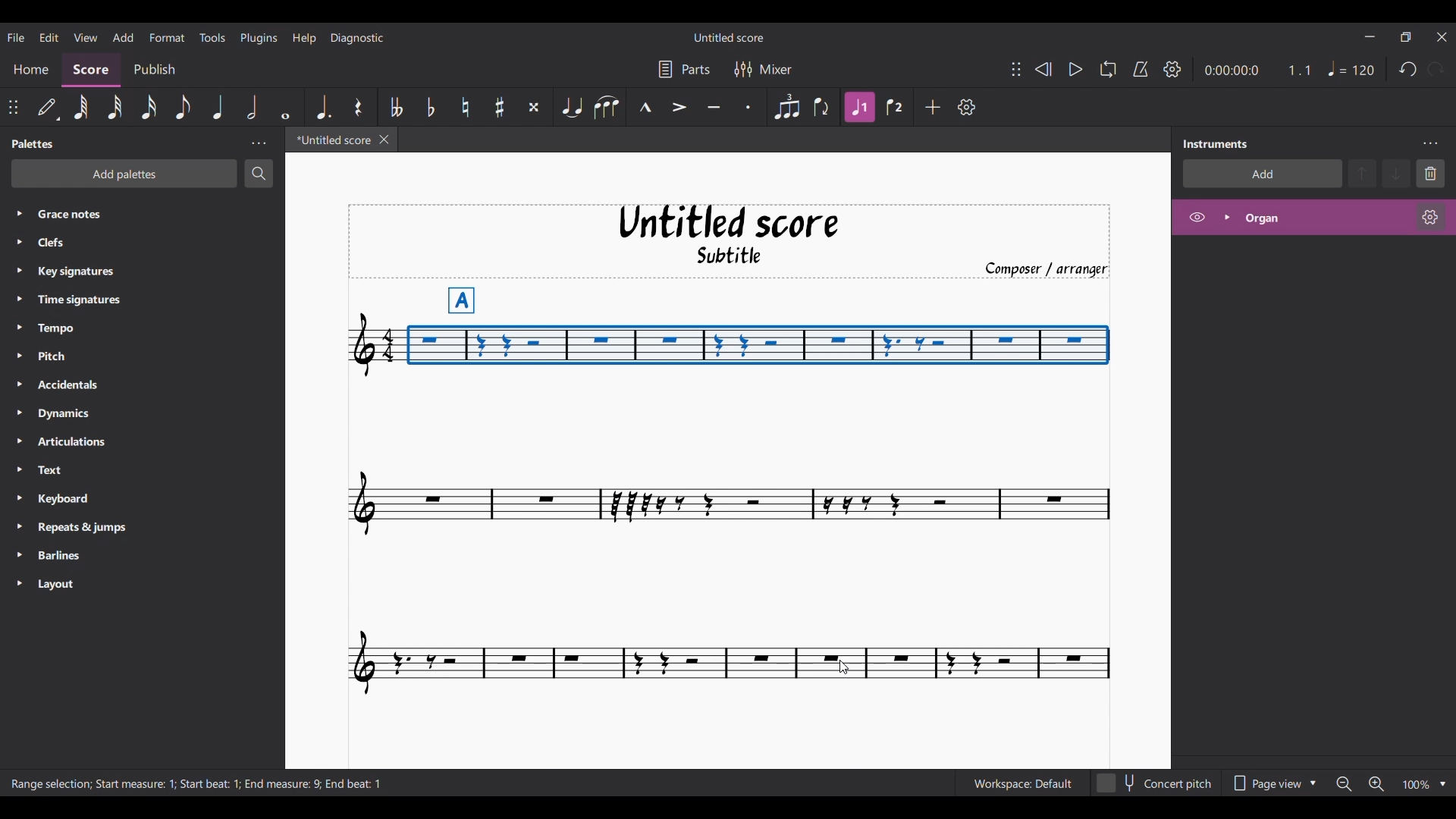  I want to click on Current score, so click(730, 557).